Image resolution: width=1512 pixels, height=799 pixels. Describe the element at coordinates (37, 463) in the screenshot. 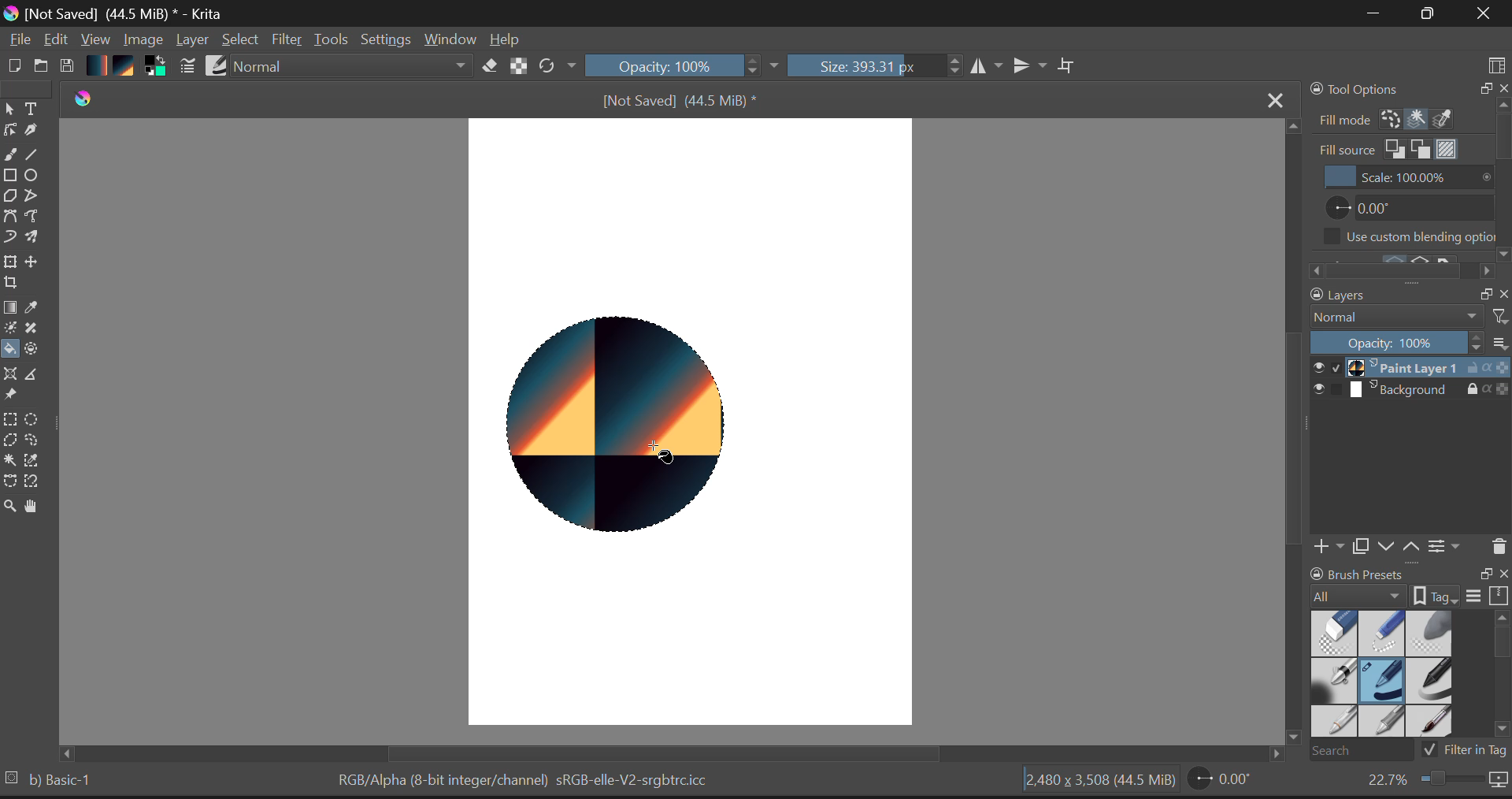

I see `Same Color Selection` at that location.